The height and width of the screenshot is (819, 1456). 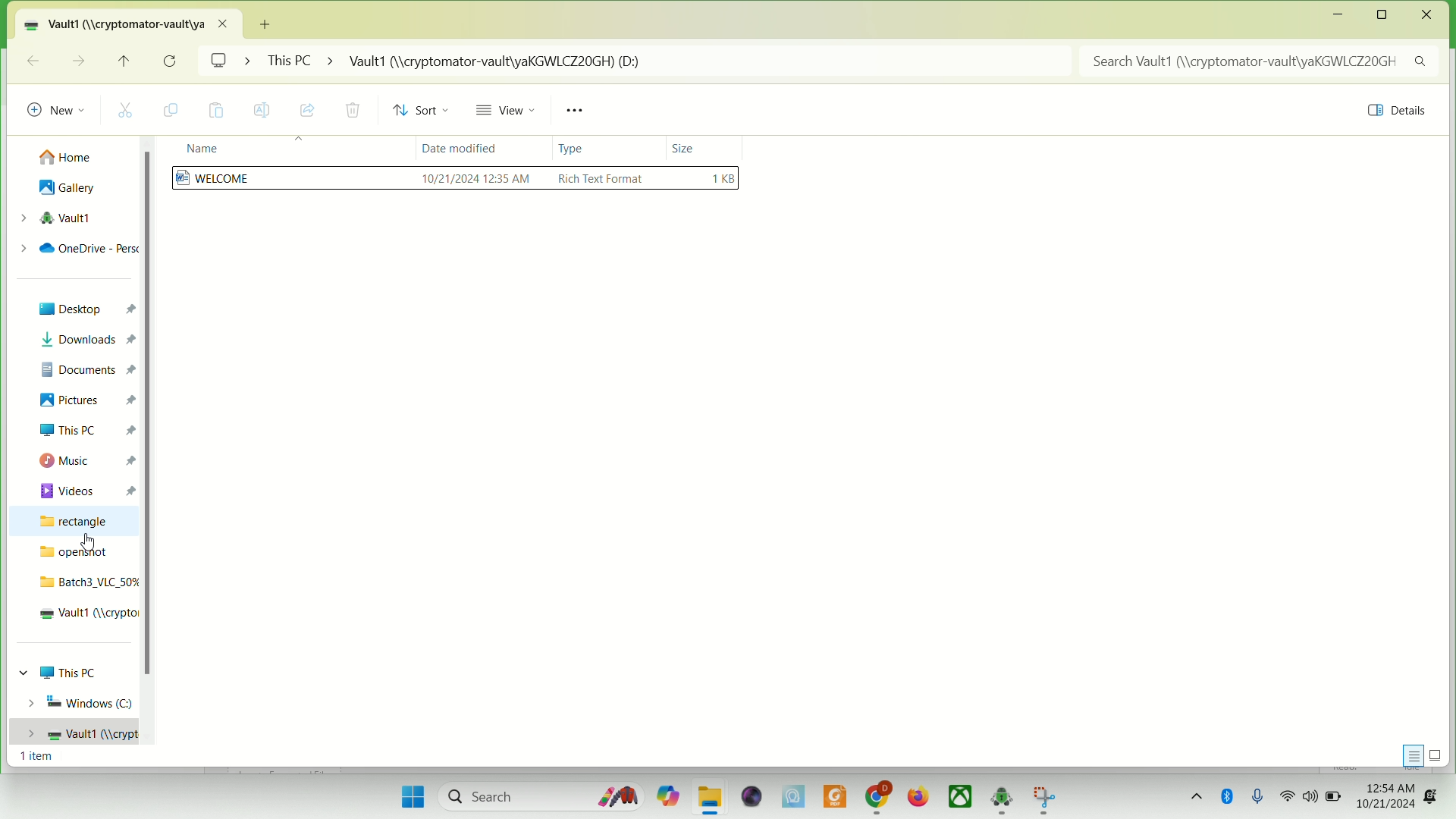 What do you see at coordinates (85, 581) in the screenshot?
I see `batch3` at bounding box center [85, 581].